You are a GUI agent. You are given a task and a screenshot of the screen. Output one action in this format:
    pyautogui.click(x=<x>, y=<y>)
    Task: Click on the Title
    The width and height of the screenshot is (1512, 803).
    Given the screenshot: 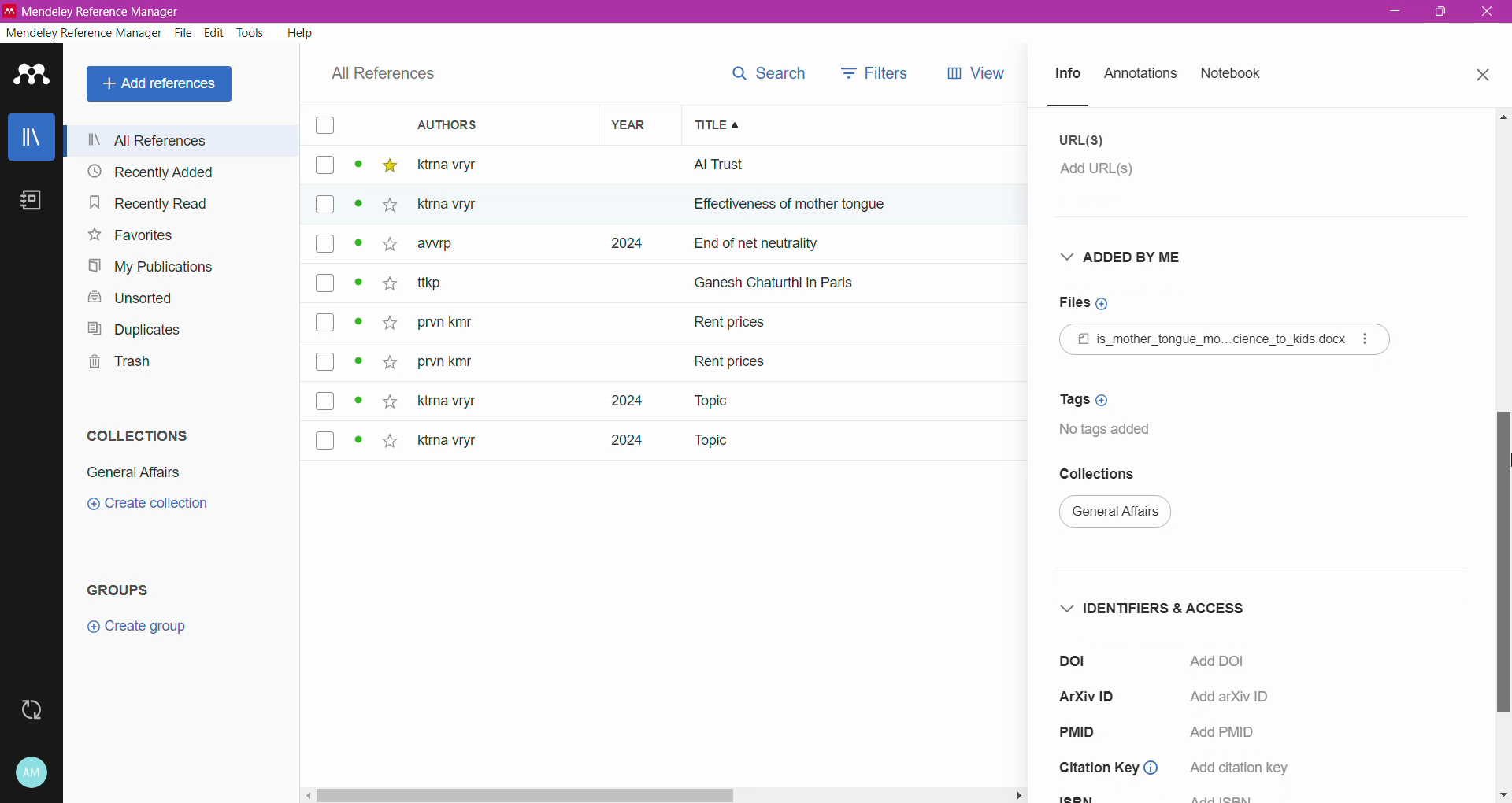 What is the action you would take?
    pyautogui.click(x=863, y=125)
    